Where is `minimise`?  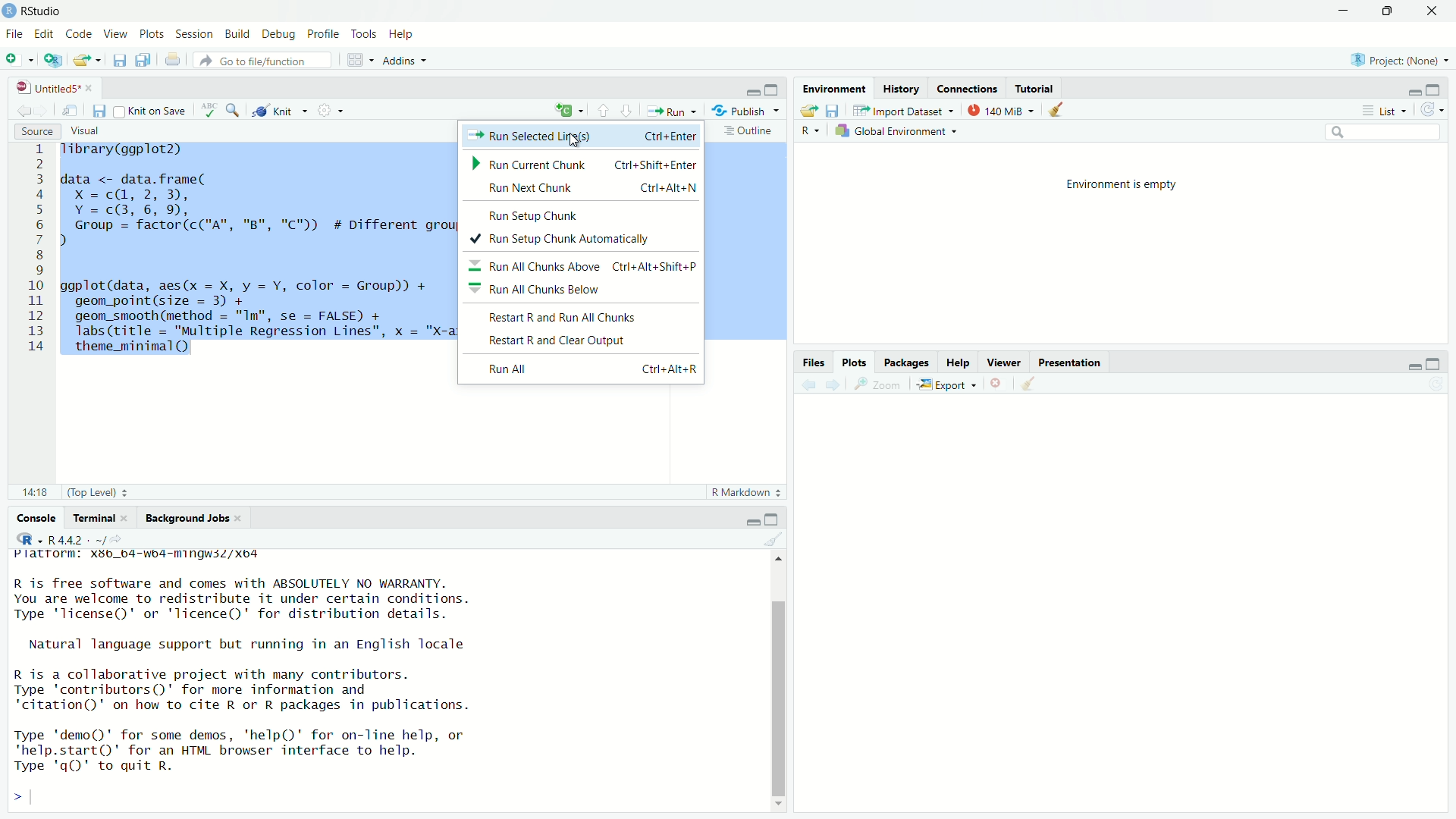
minimise is located at coordinates (749, 89).